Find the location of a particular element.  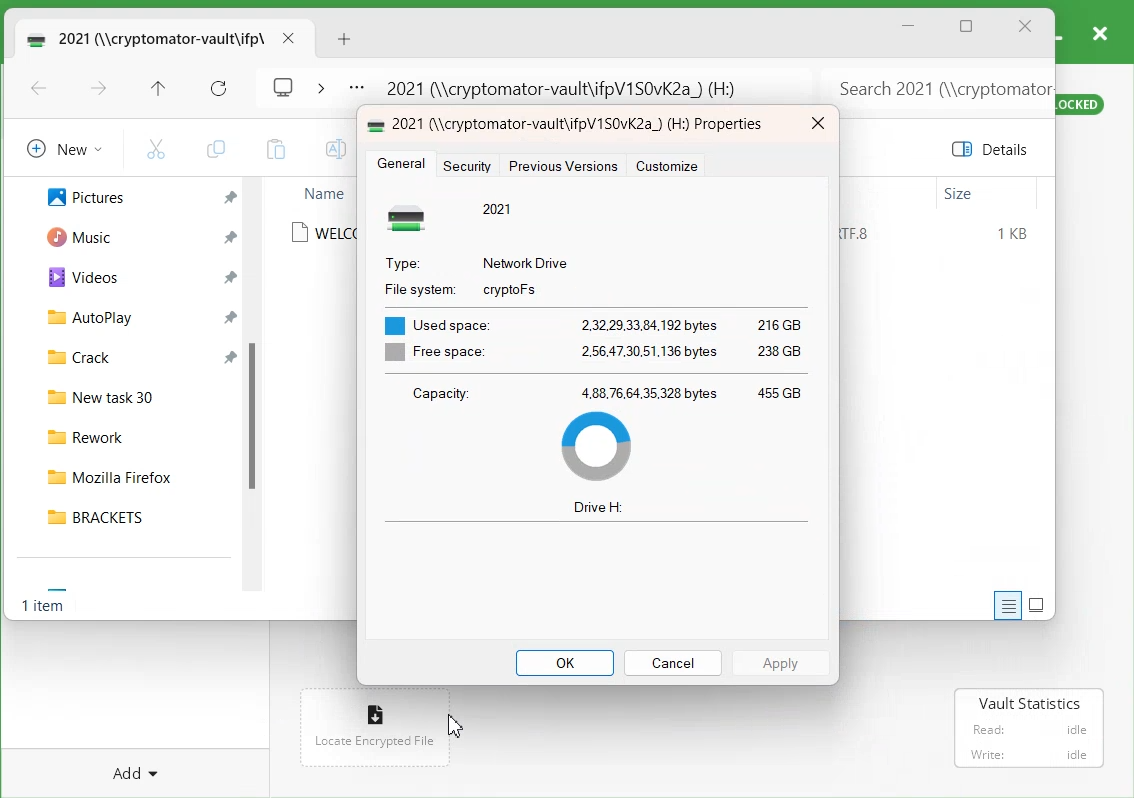

Previous Versions is located at coordinates (562, 166).